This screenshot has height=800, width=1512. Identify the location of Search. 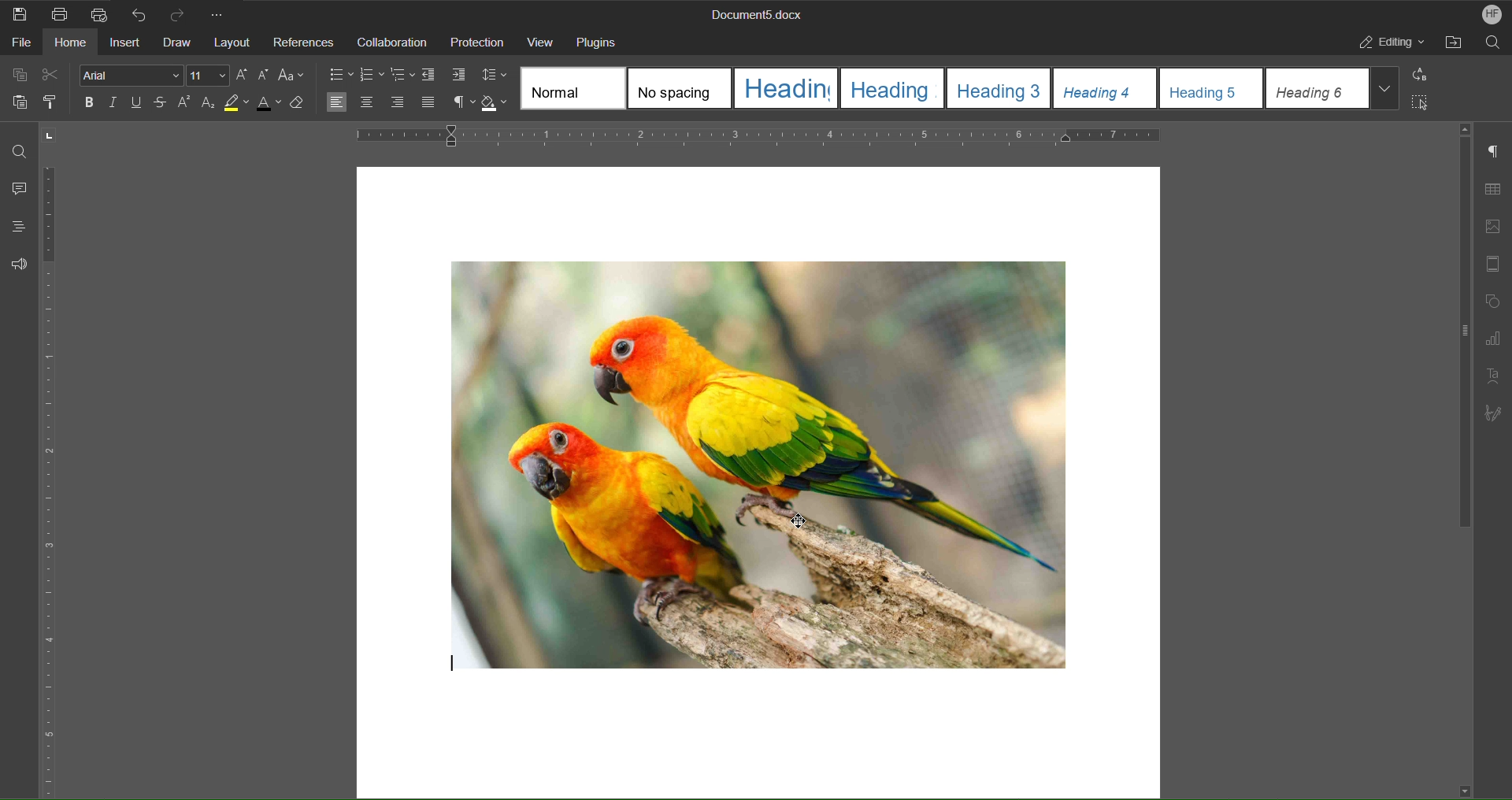
(1493, 45).